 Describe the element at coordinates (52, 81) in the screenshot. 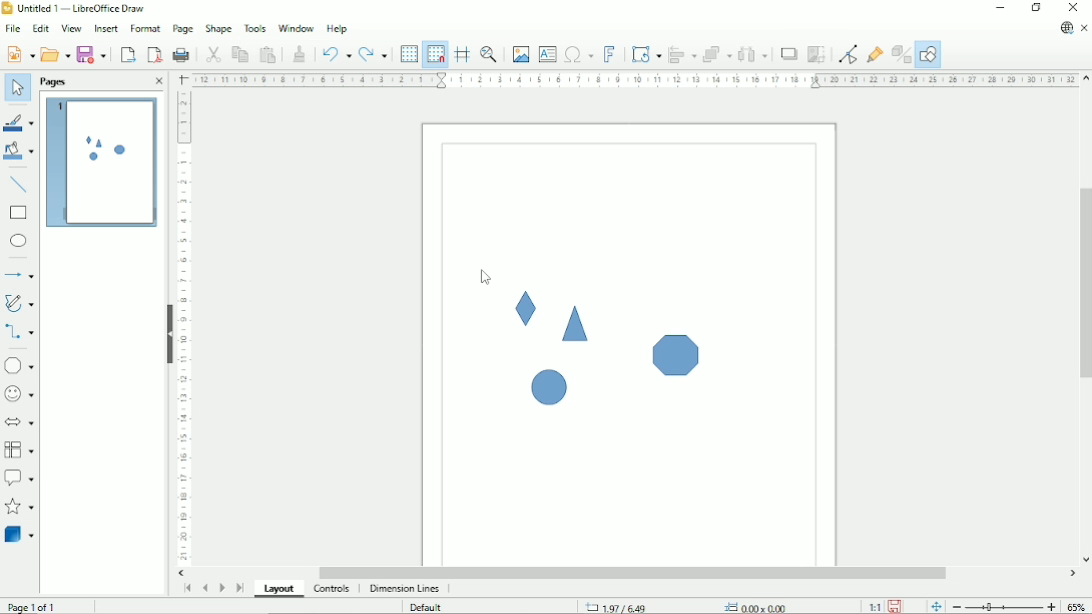

I see `Pages` at that location.